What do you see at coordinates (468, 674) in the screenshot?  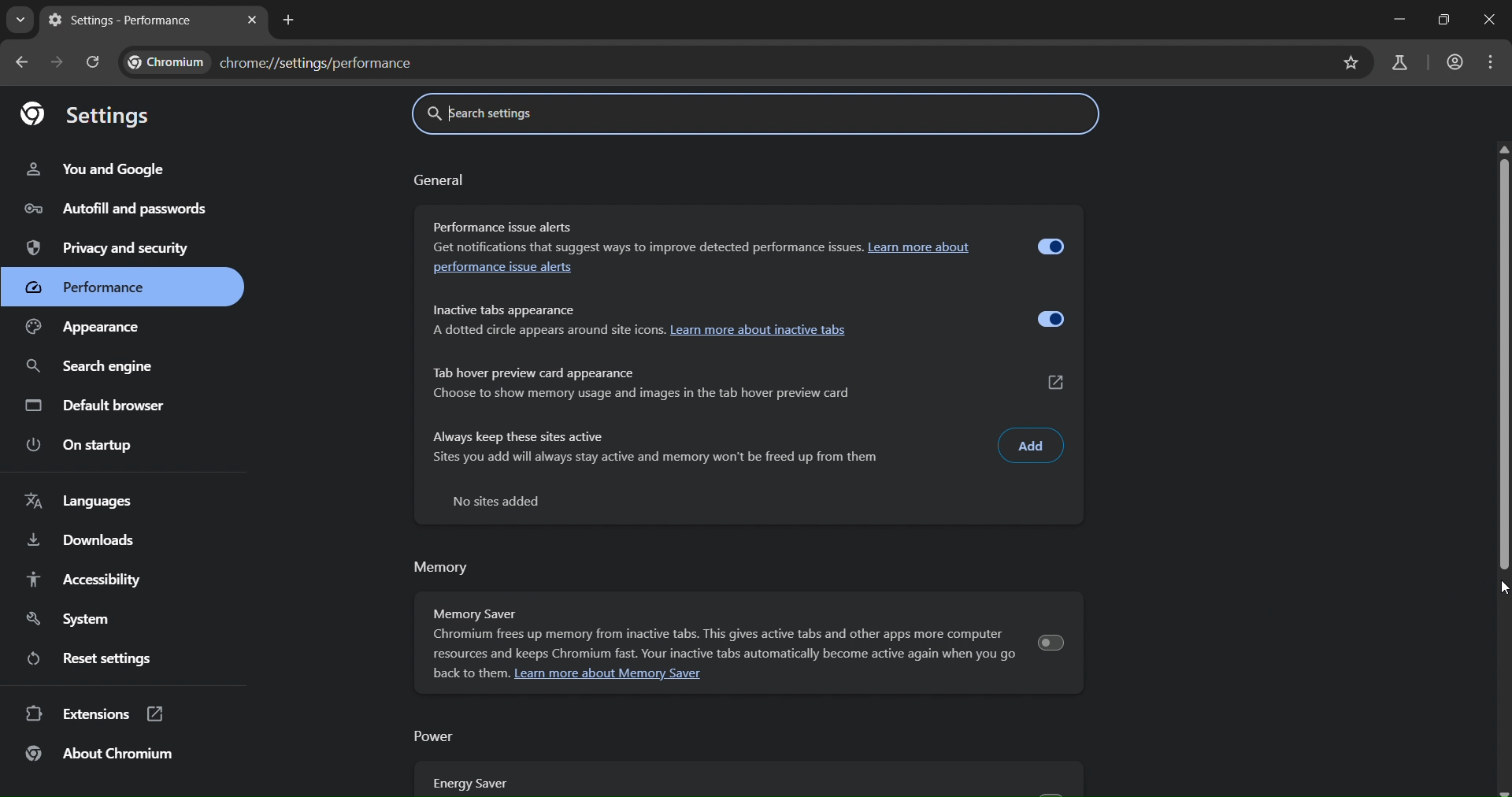 I see `back to them` at bounding box center [468, 674].